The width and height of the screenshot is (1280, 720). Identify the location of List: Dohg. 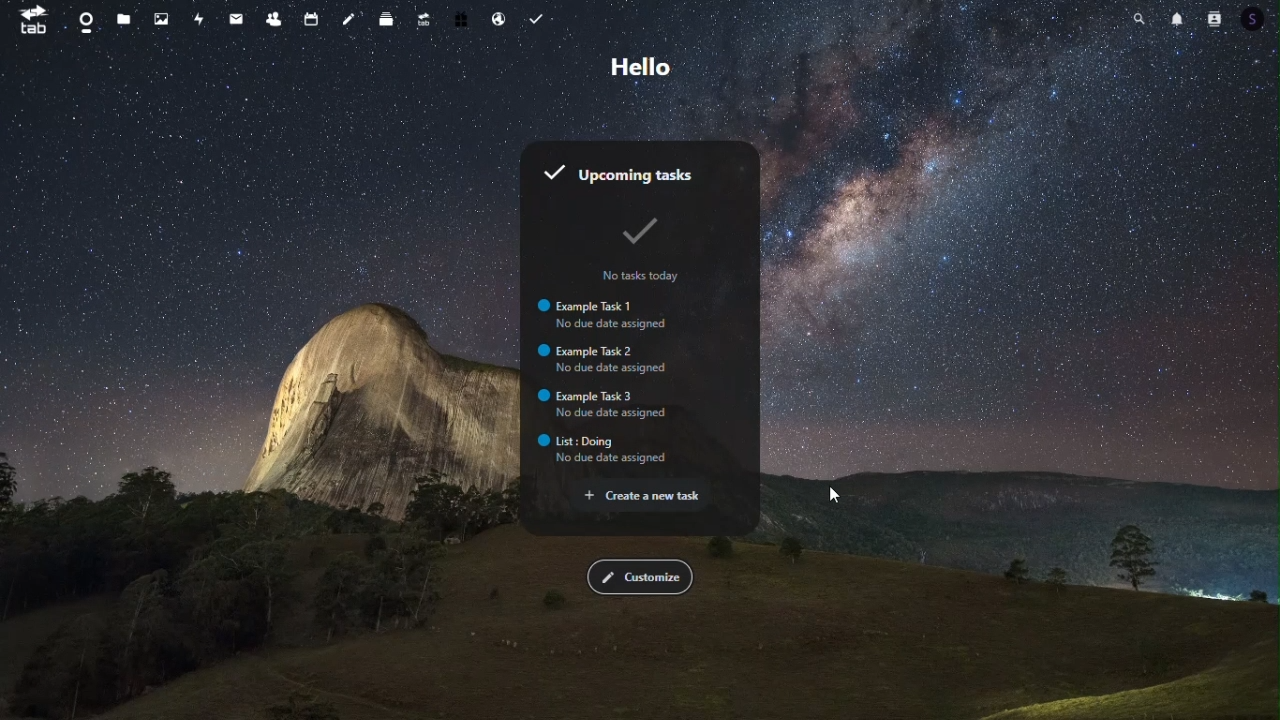
(614, 450).